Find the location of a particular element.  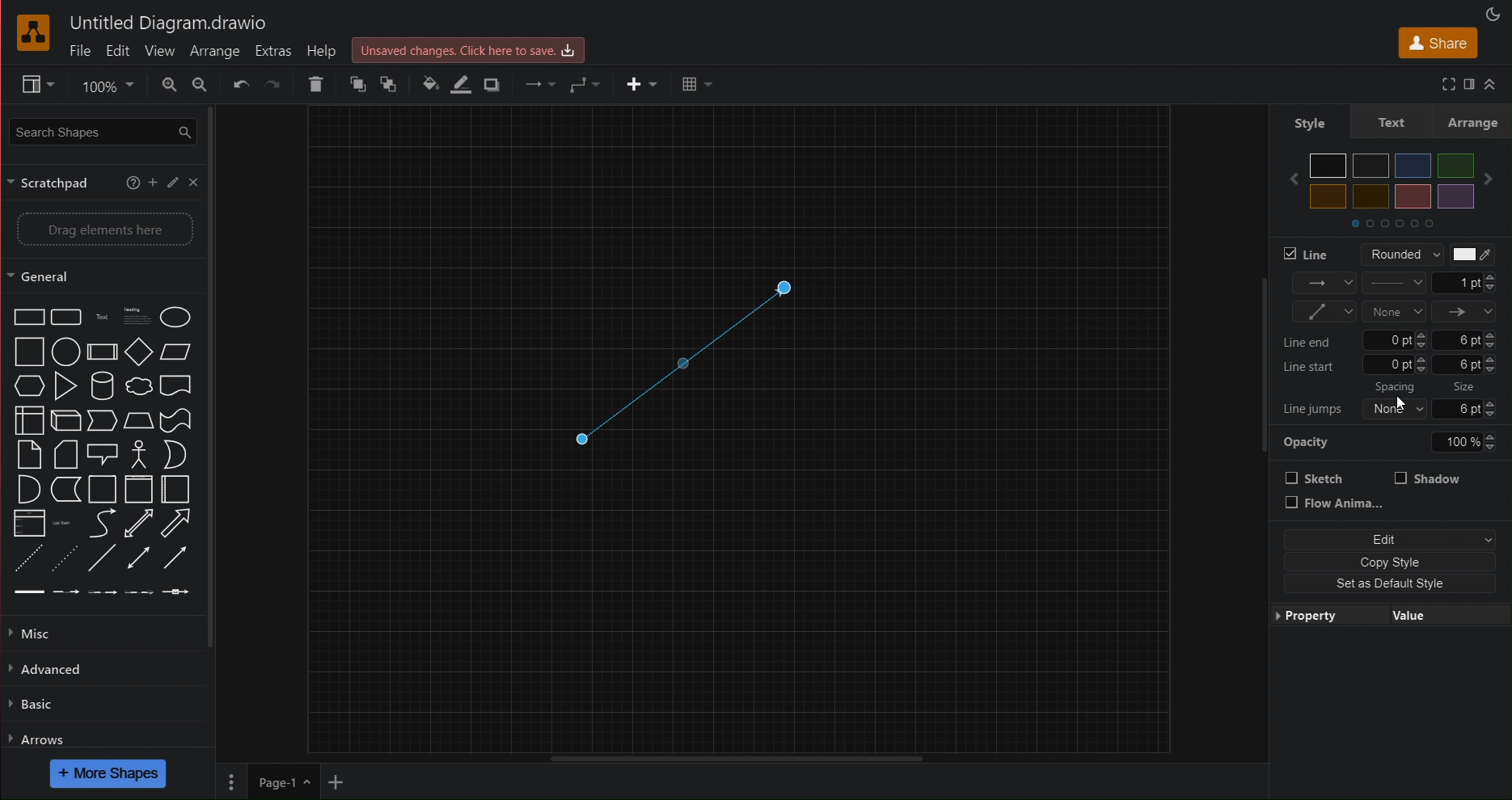

Untitled Diagram.drawio is located at coordinates (168, 24).